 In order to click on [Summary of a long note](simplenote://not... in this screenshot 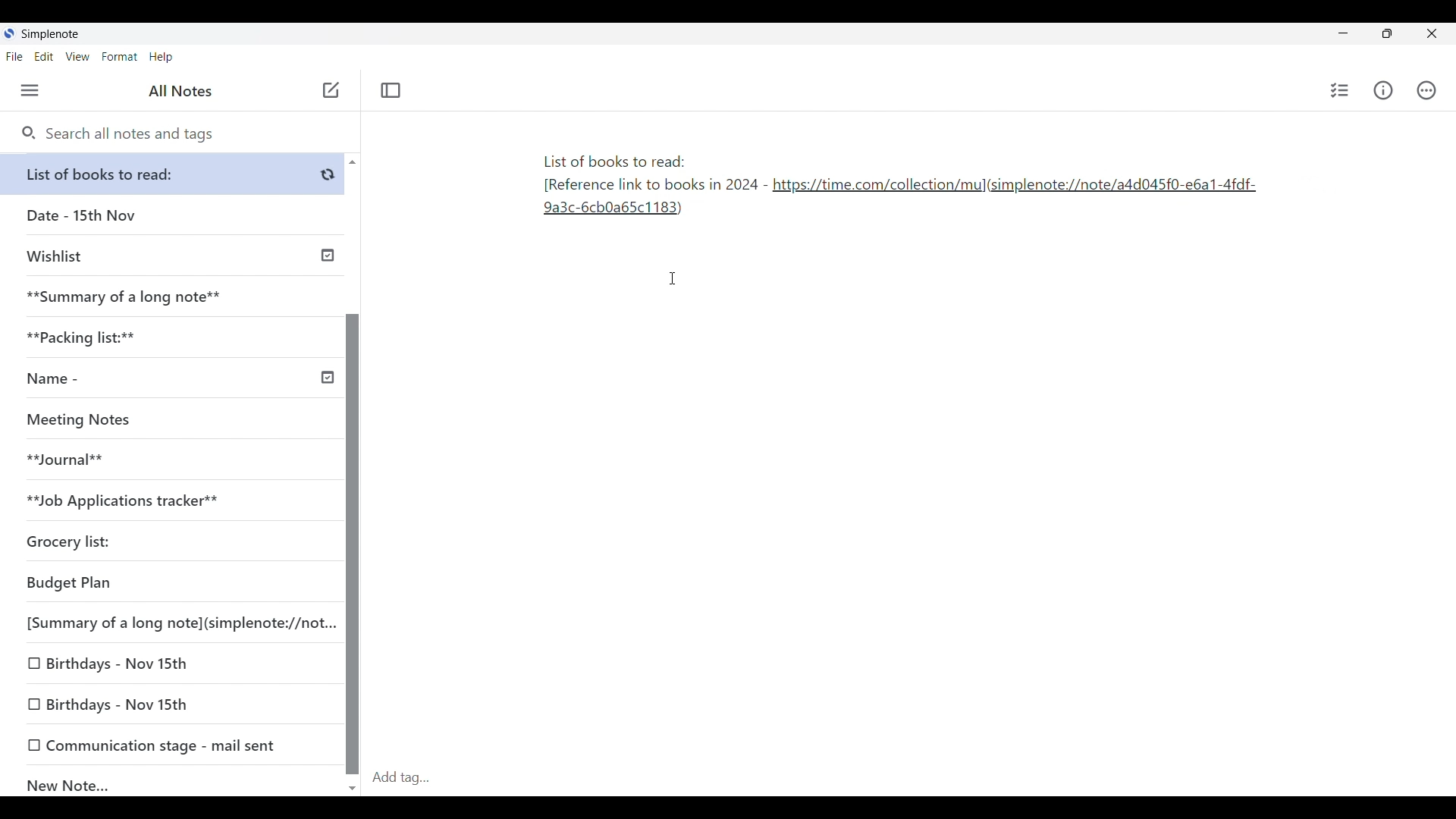, I will do `click(177, 623)`.